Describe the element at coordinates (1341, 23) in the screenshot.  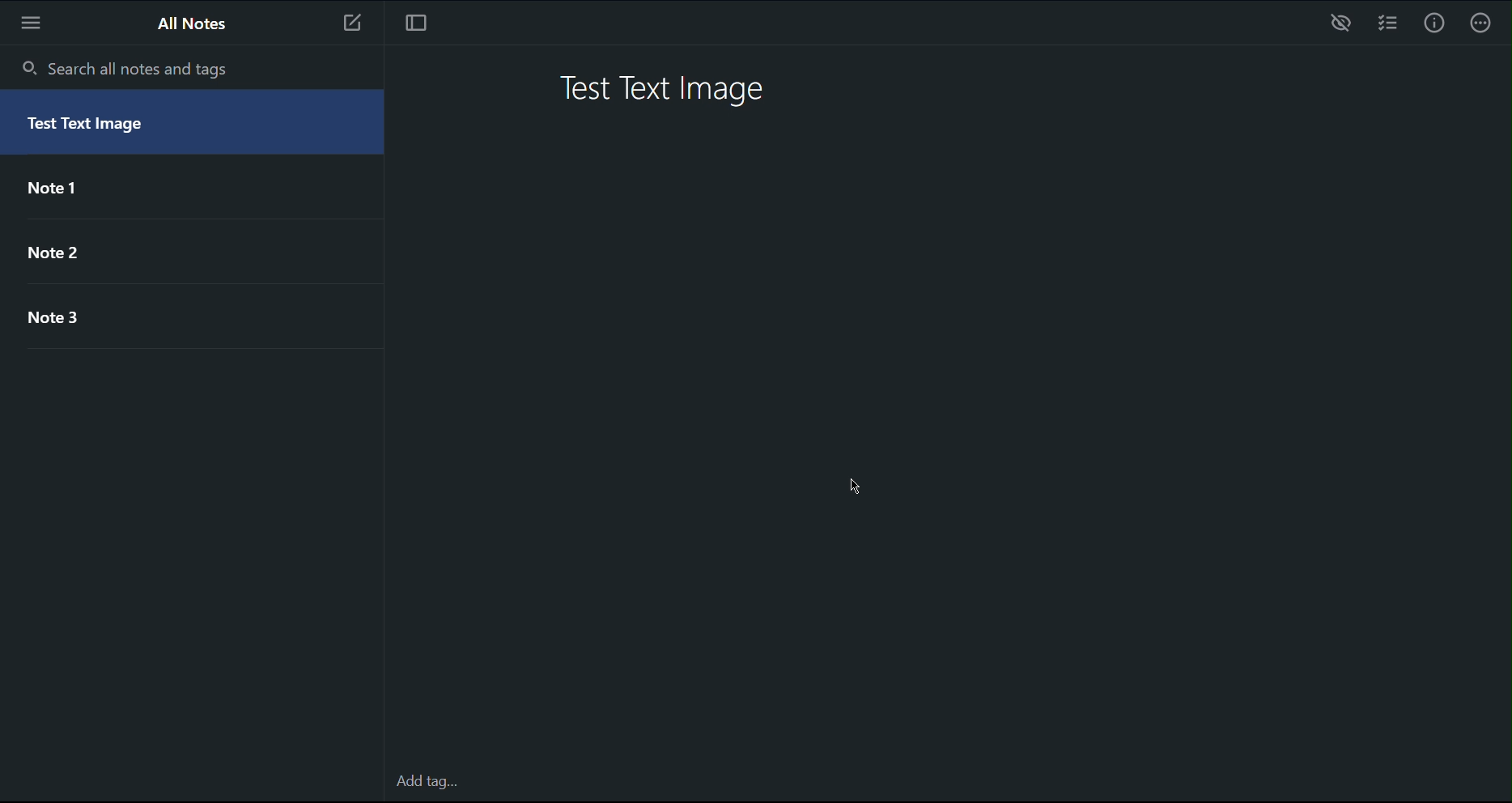
I see `Hide Markdown` at that location.